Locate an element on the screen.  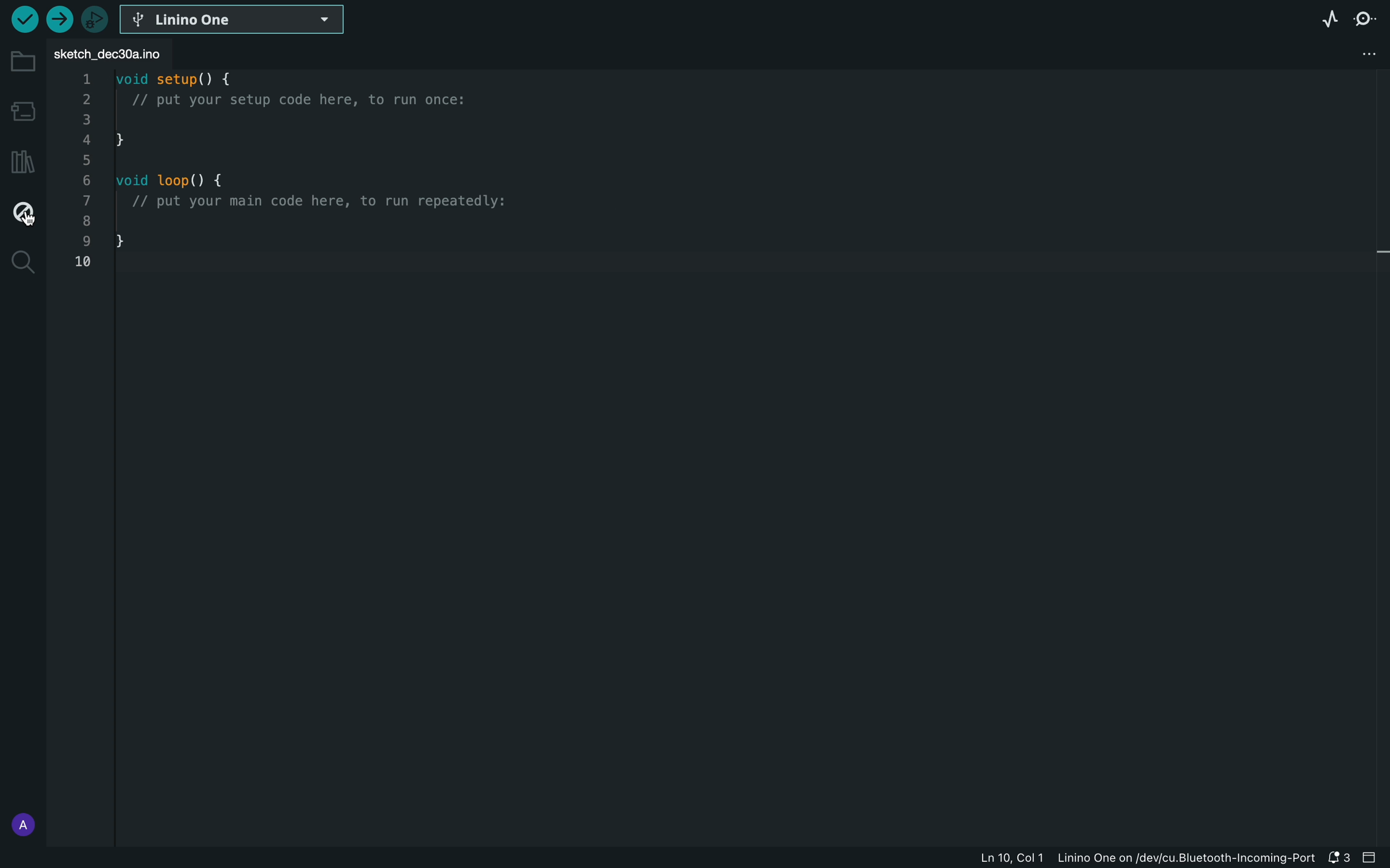
serial monitor is located at coordinates (1366, 18).